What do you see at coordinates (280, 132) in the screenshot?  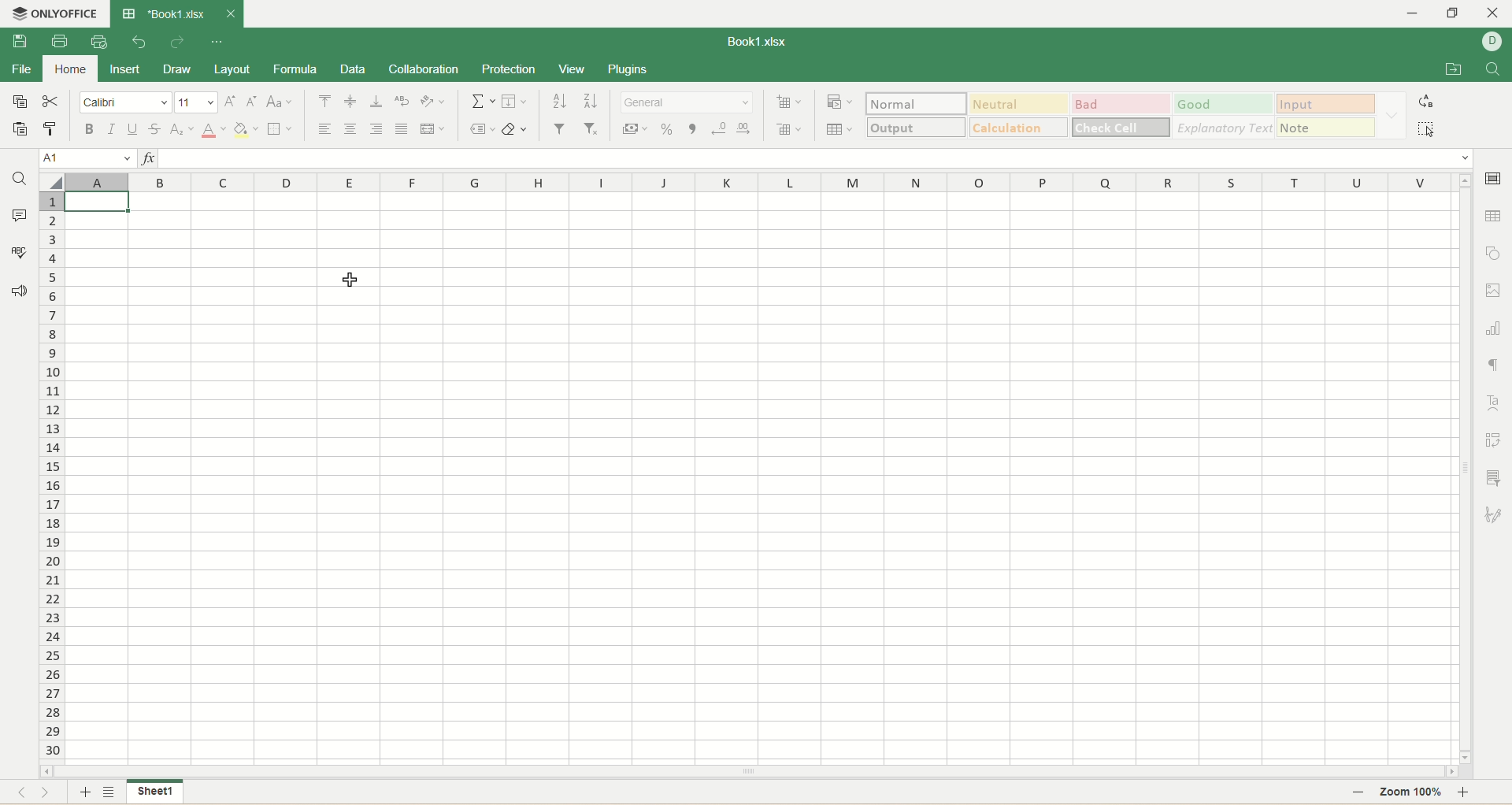 I see `border` at bounding box center [280, 132].